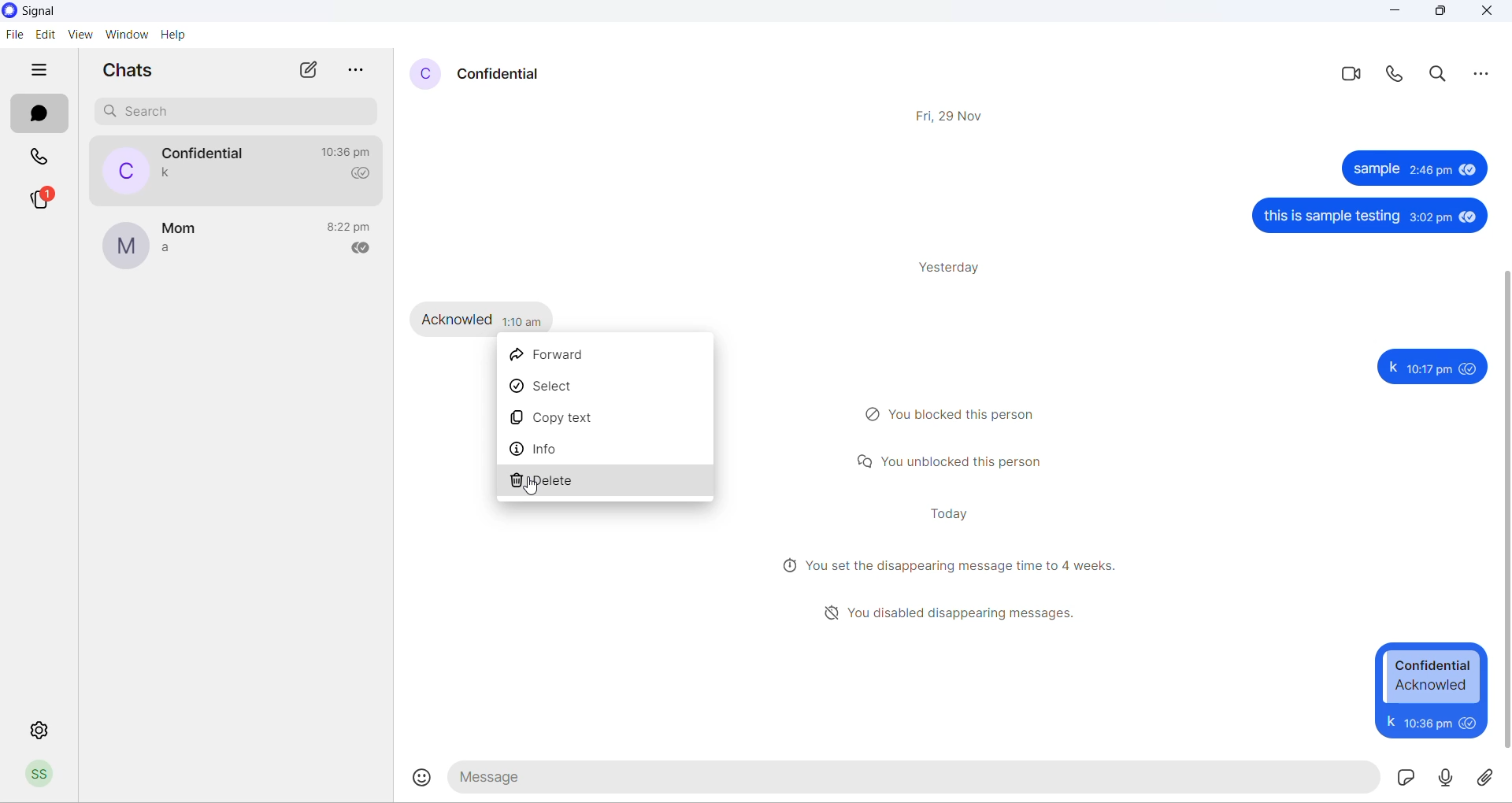  Describe the element at coordinates (44, 160) in the screenshot. I see `calls` at that location.